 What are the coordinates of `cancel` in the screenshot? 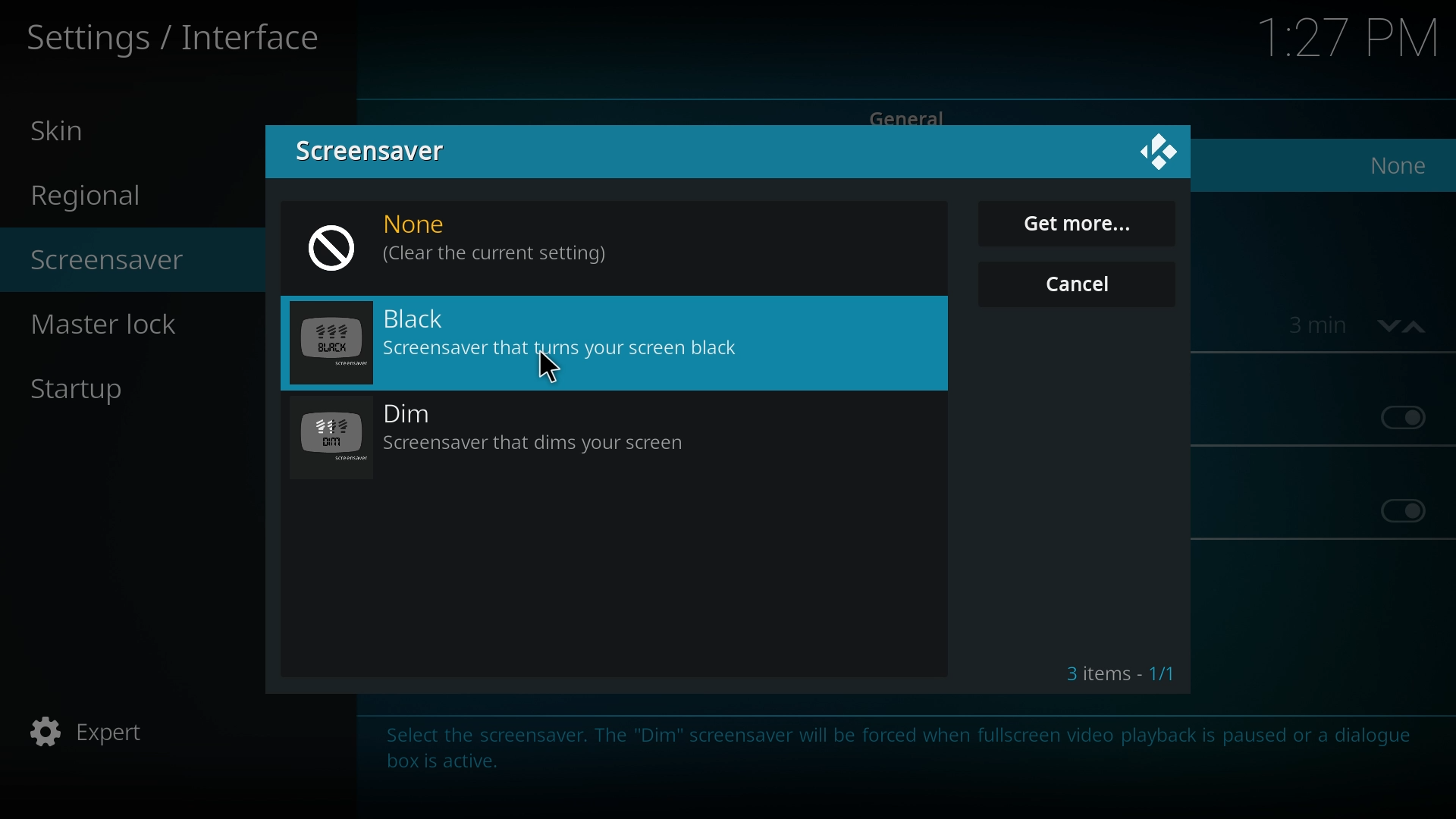 It's located at (1079, 282).